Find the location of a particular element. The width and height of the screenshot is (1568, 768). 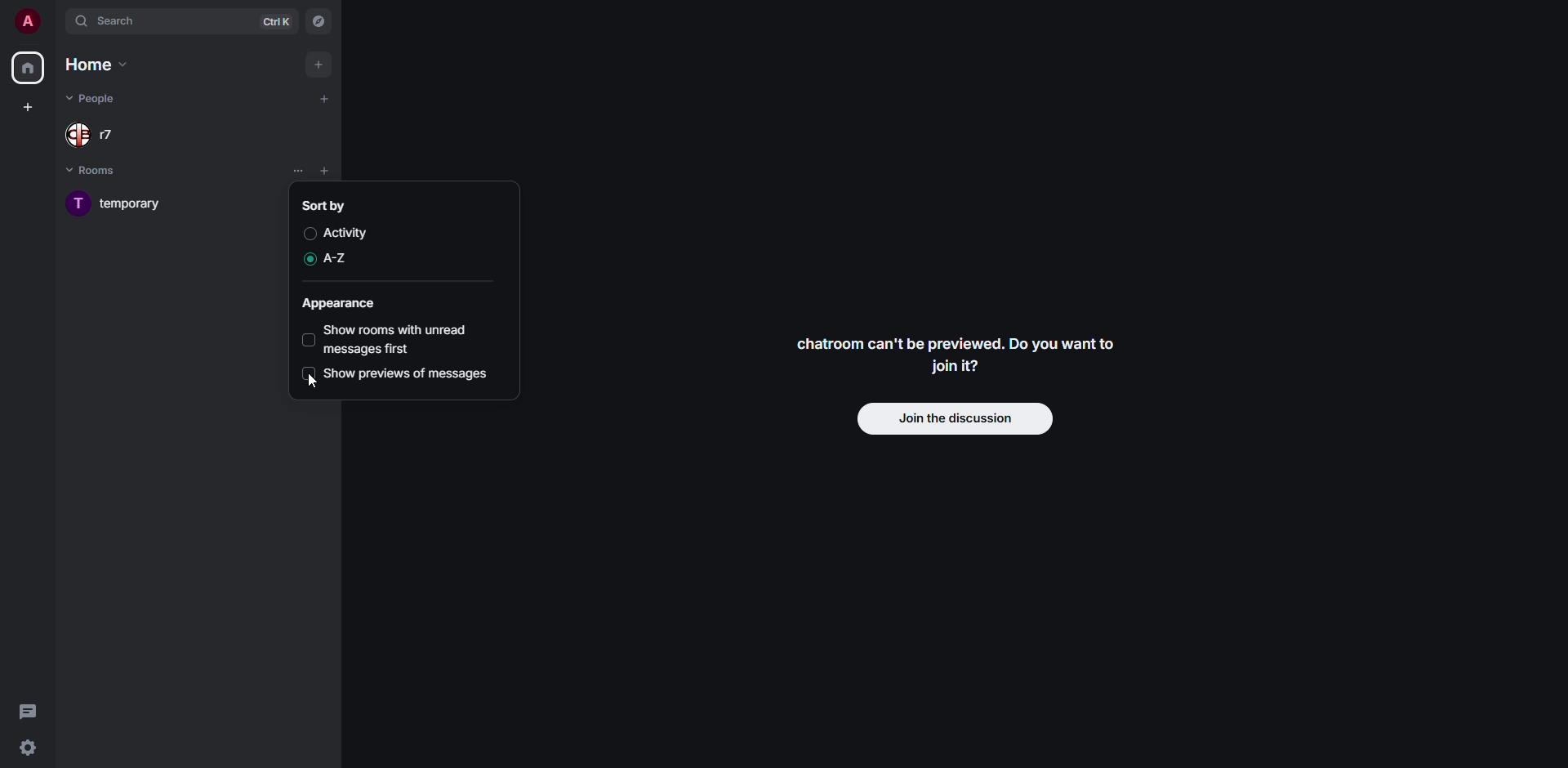

list options is located at coordinates (299, 169).